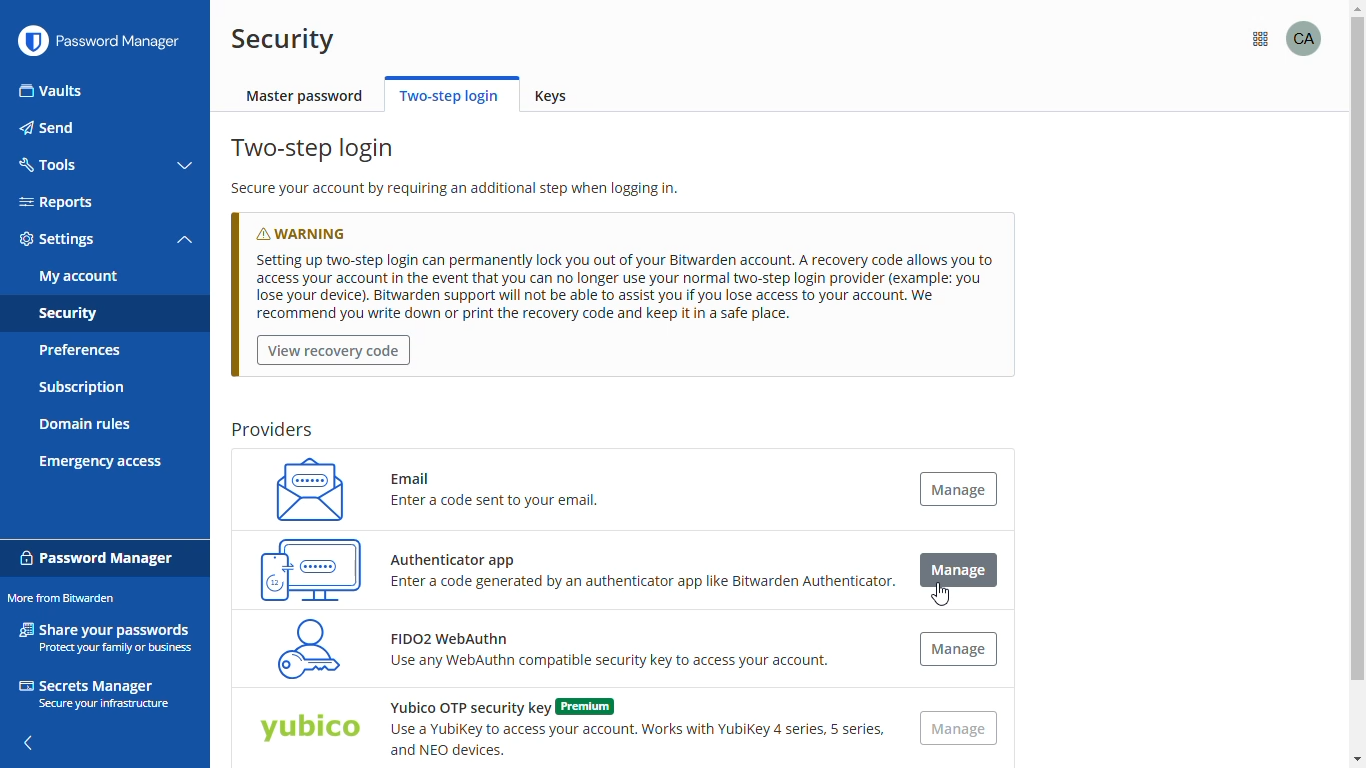  What do you see at coordinates (1259, 40) in the screenshot?
I see `more from bitwarden` at bounding box center [1259, 40].